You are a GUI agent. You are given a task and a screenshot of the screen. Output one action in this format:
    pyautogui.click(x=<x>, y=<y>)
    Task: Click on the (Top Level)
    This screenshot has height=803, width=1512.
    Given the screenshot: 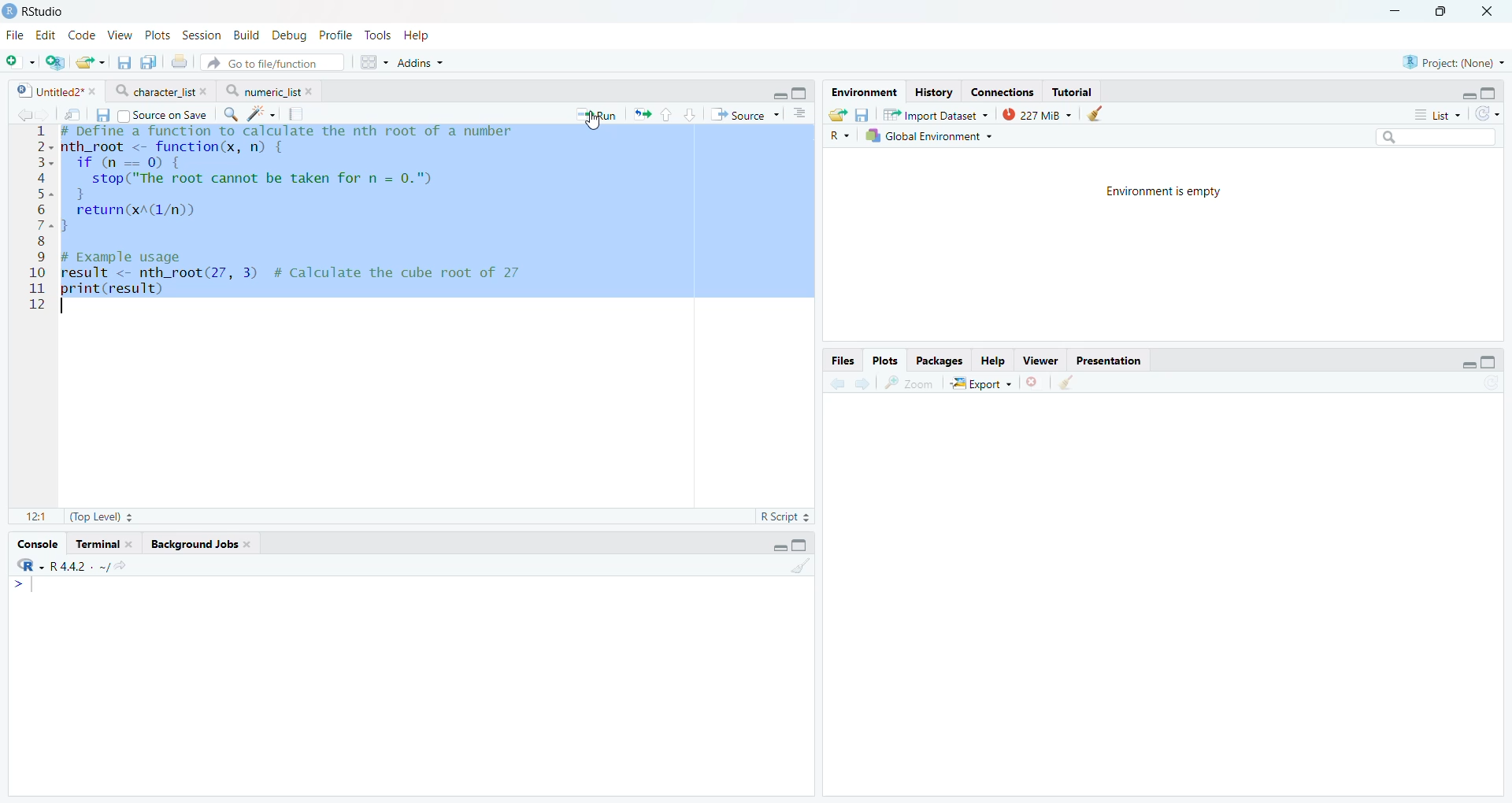 What is the action you would take?
    pyautogui.click(x=100, y=516)
    